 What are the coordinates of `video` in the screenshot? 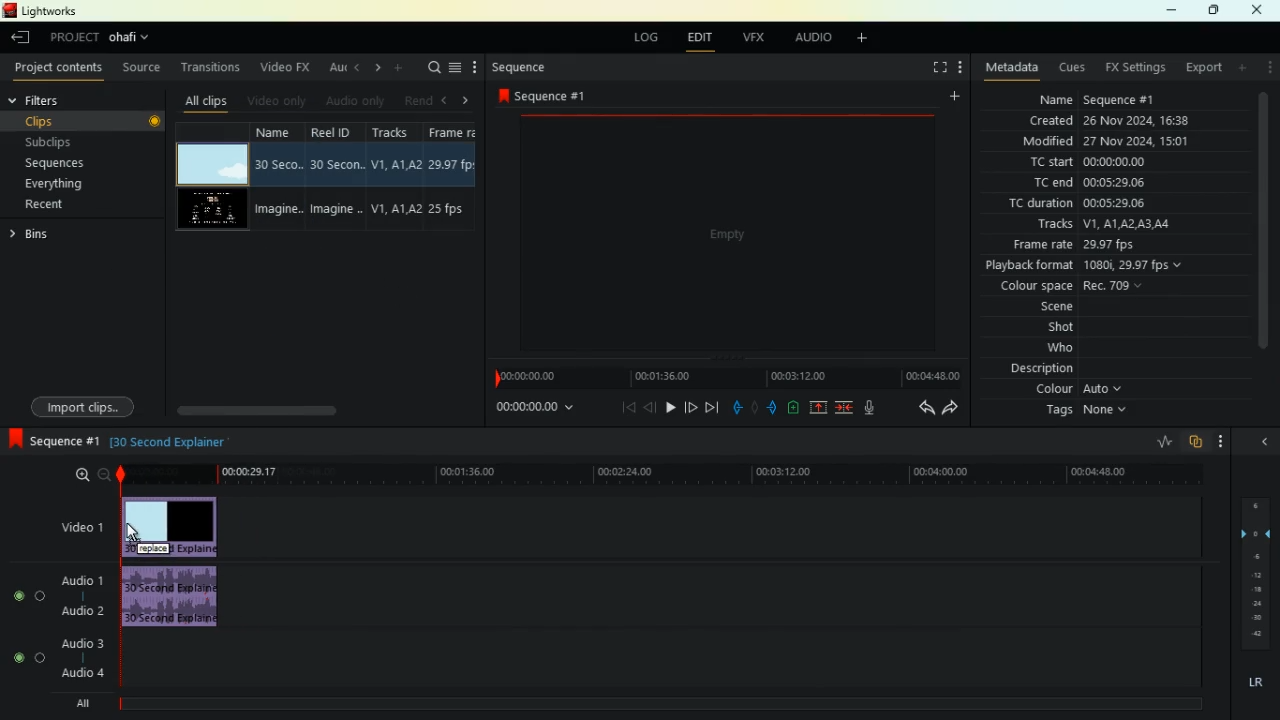 It's located at (170, 526).